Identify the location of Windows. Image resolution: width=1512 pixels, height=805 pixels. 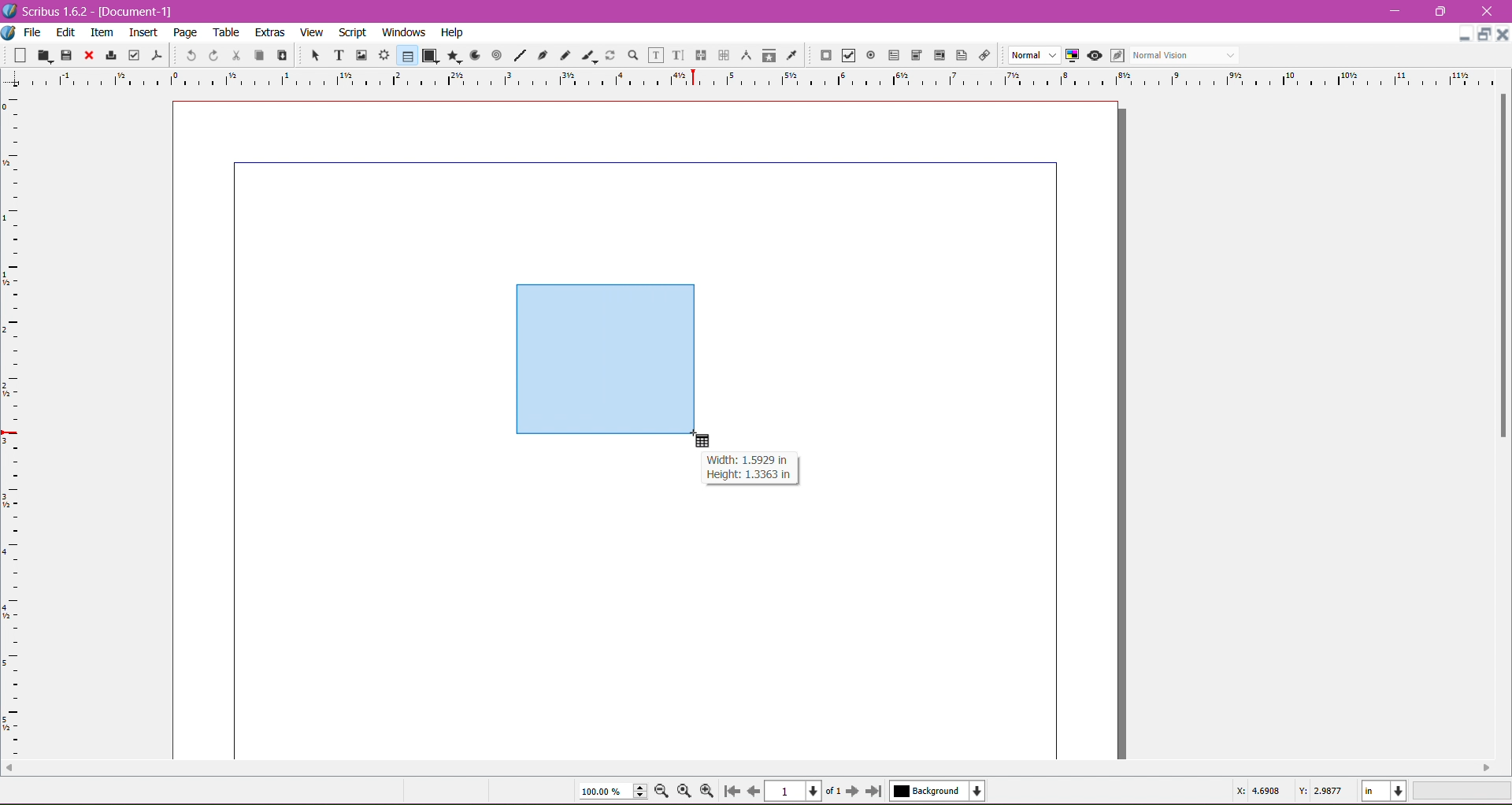
(402, 32).